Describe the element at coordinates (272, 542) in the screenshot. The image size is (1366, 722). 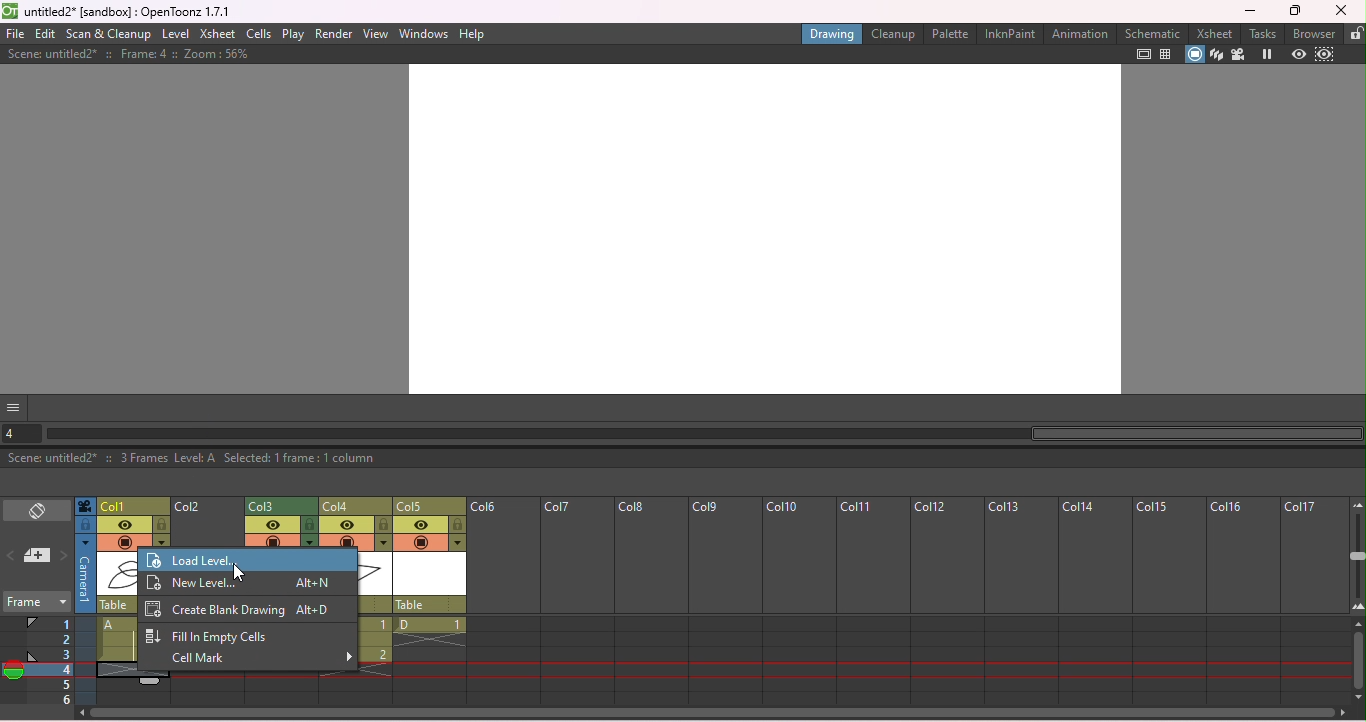
I see `camera stand visibility toggle` at that location.